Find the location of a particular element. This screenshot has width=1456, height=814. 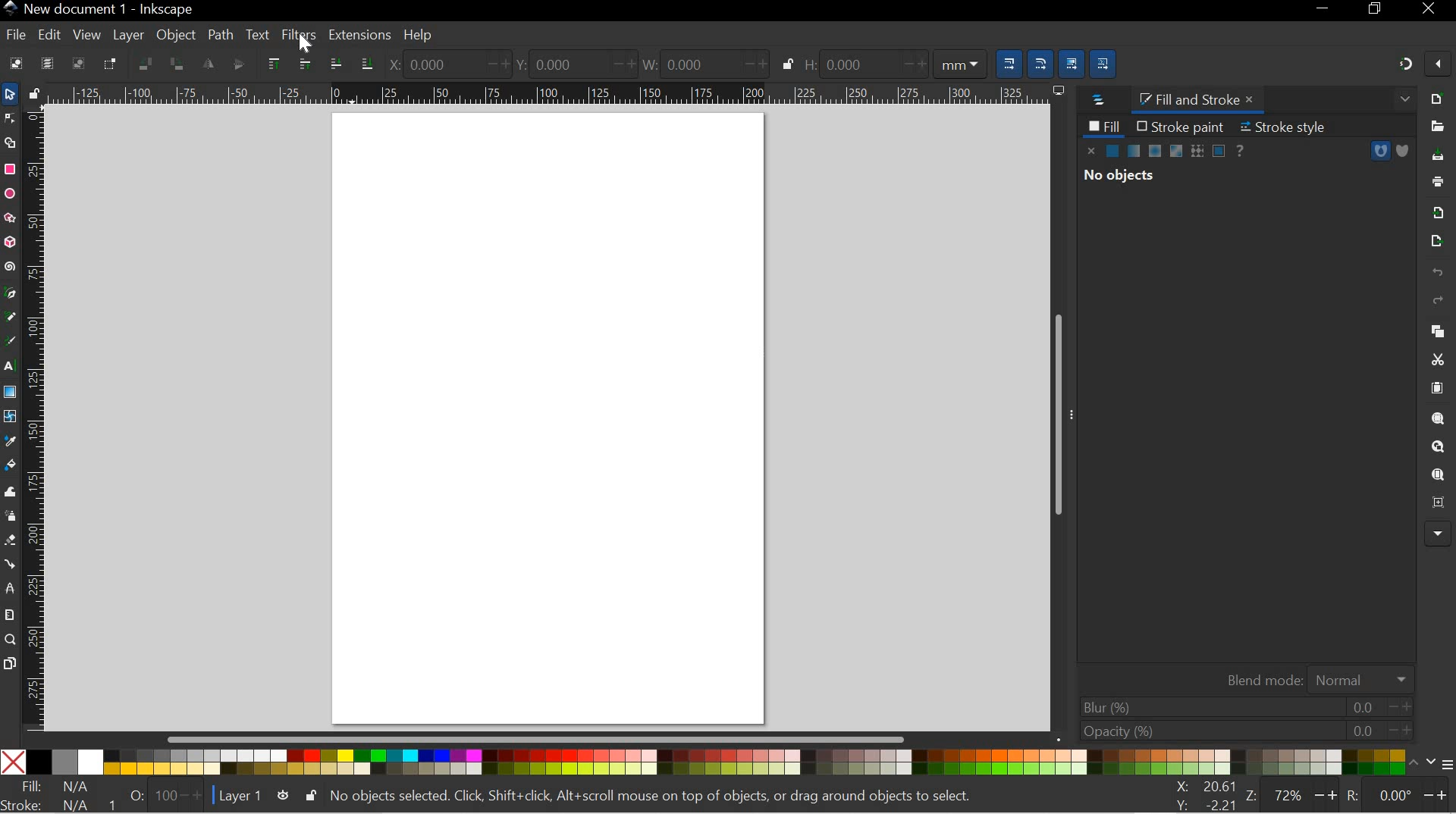

ZOOM OUT OR ZOOM IN is located at coordinates (1293, 795).